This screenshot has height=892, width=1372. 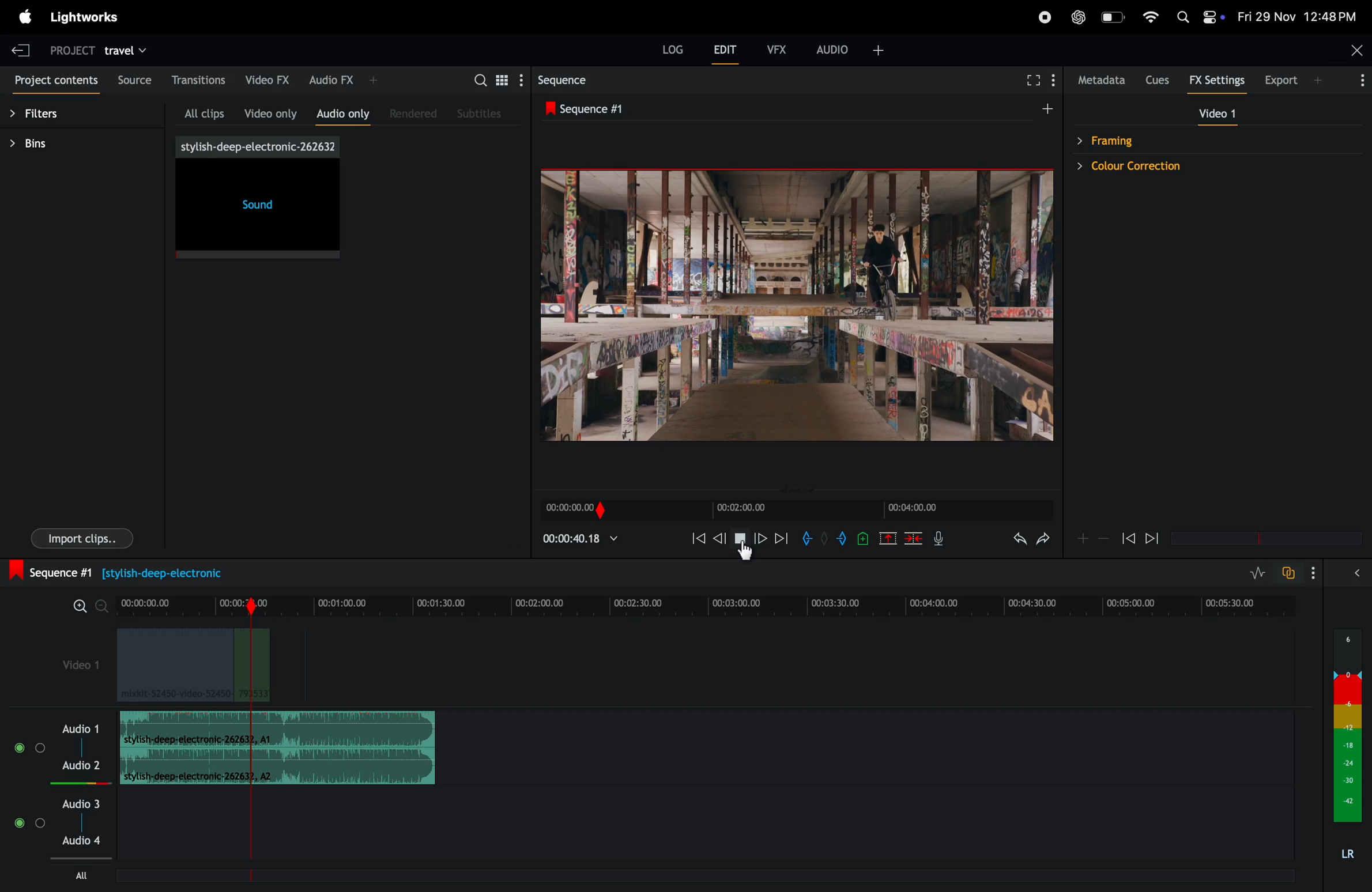 I want to click on all clips, so click(x=205, y=111).